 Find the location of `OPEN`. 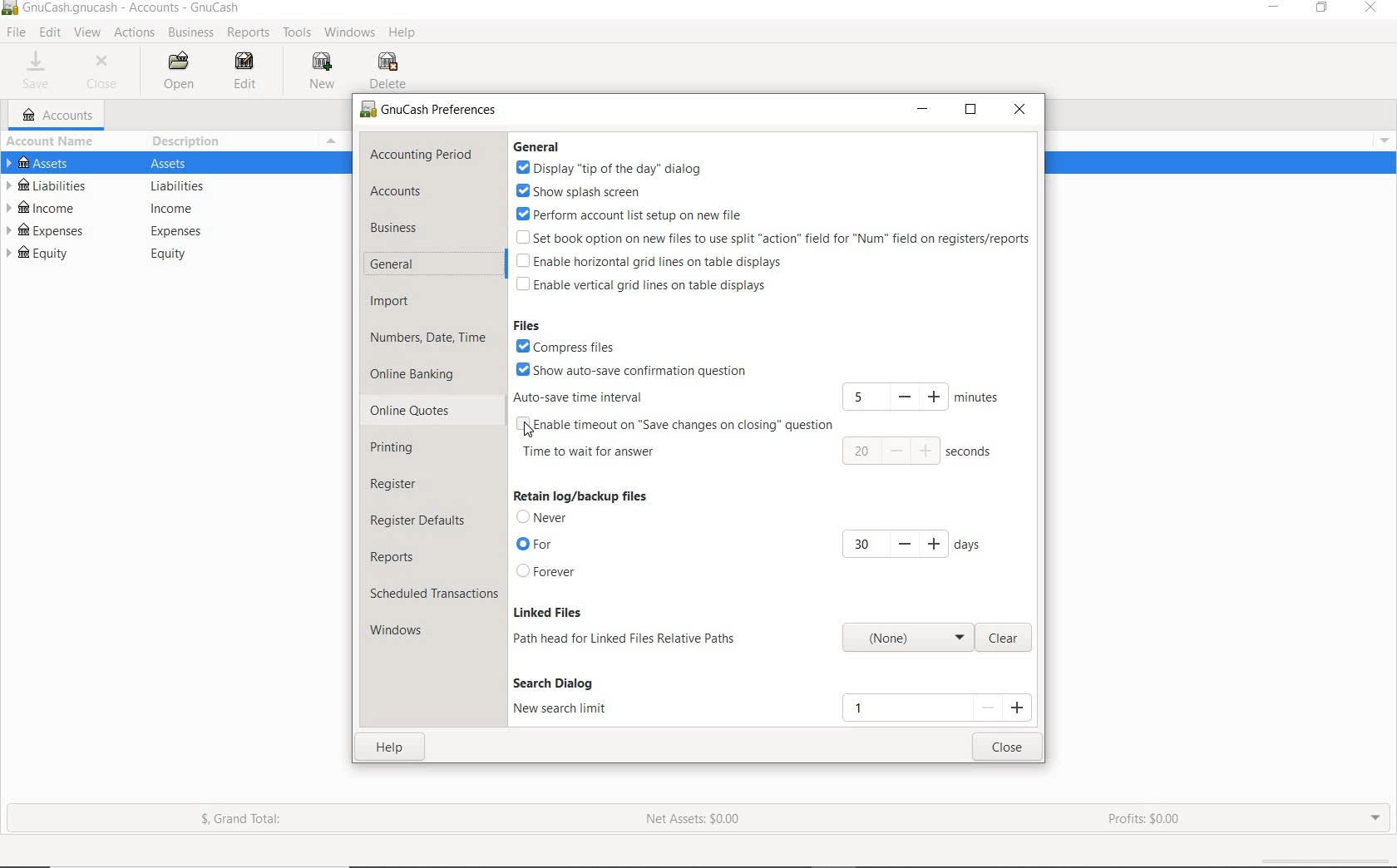

OPEN is located at coordinates (185, 71).